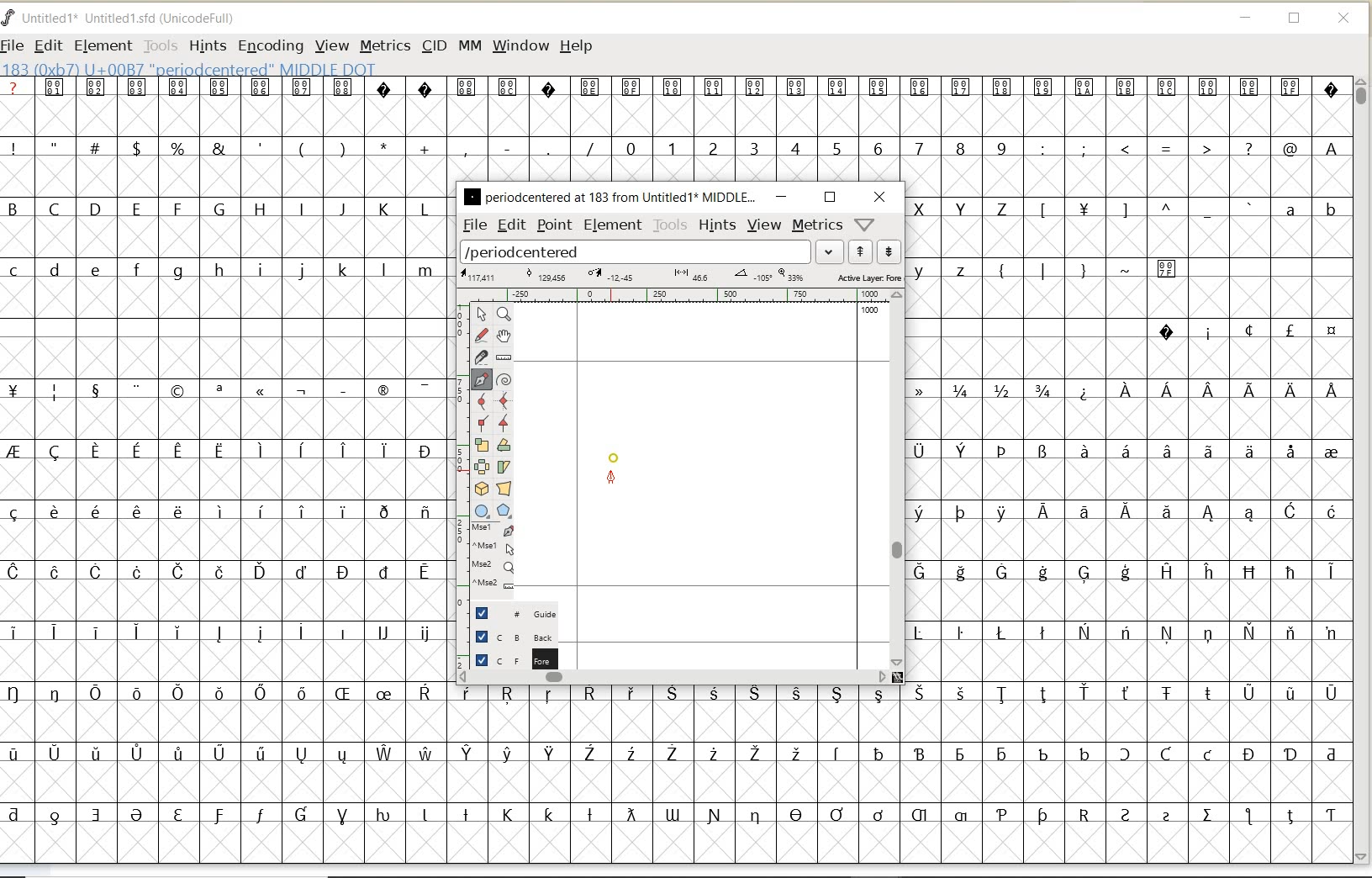 The height and width of the screenshot is (878, 1372). What do you see at coordinates (206, 45) in the screenshot?
I see `HINTS` at bounding box center [206, 45].